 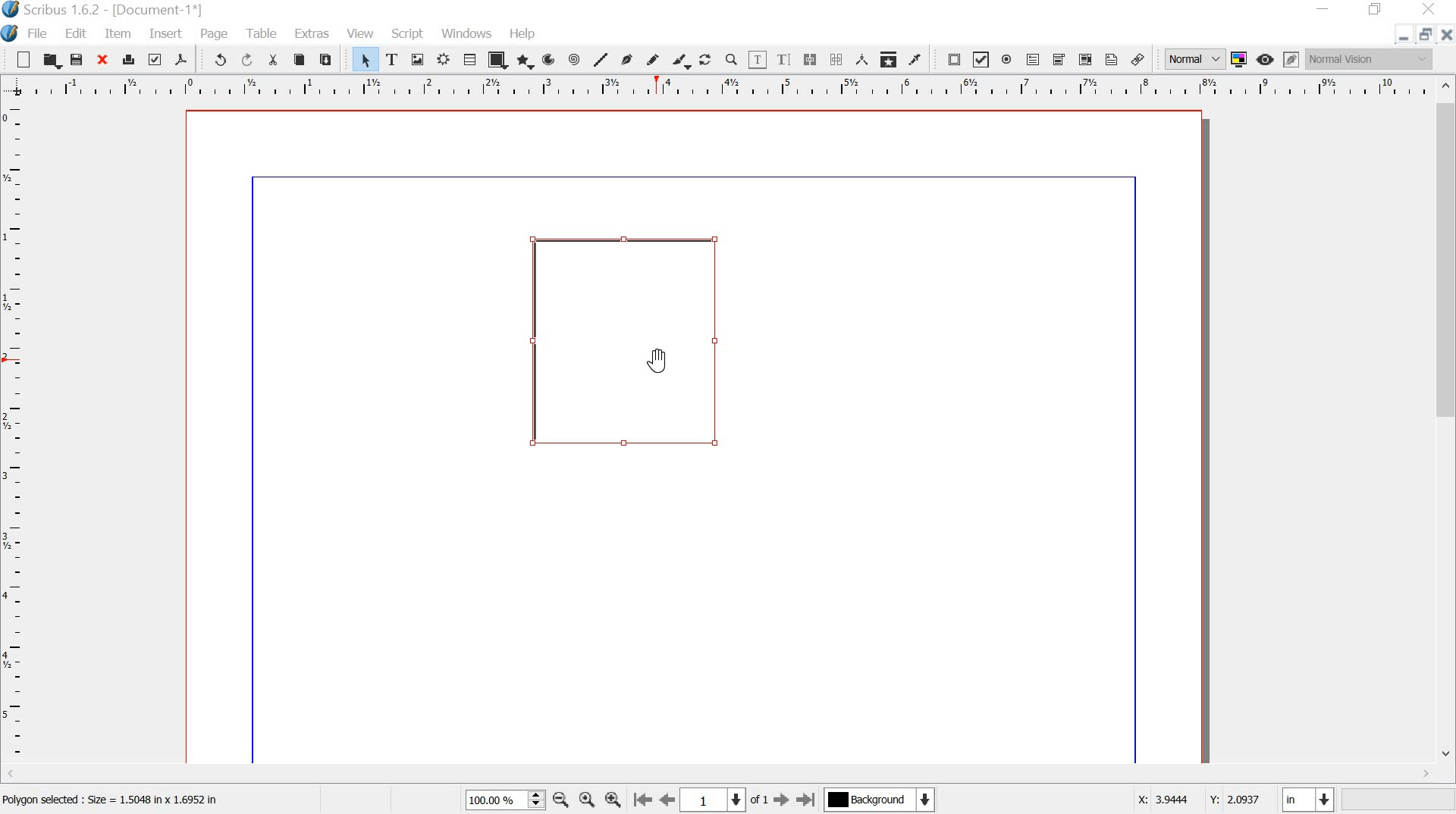 What do you see at coordinates (981, 60) in the screenshot?
I see `pdf check box` at bounding box center [981, 60].